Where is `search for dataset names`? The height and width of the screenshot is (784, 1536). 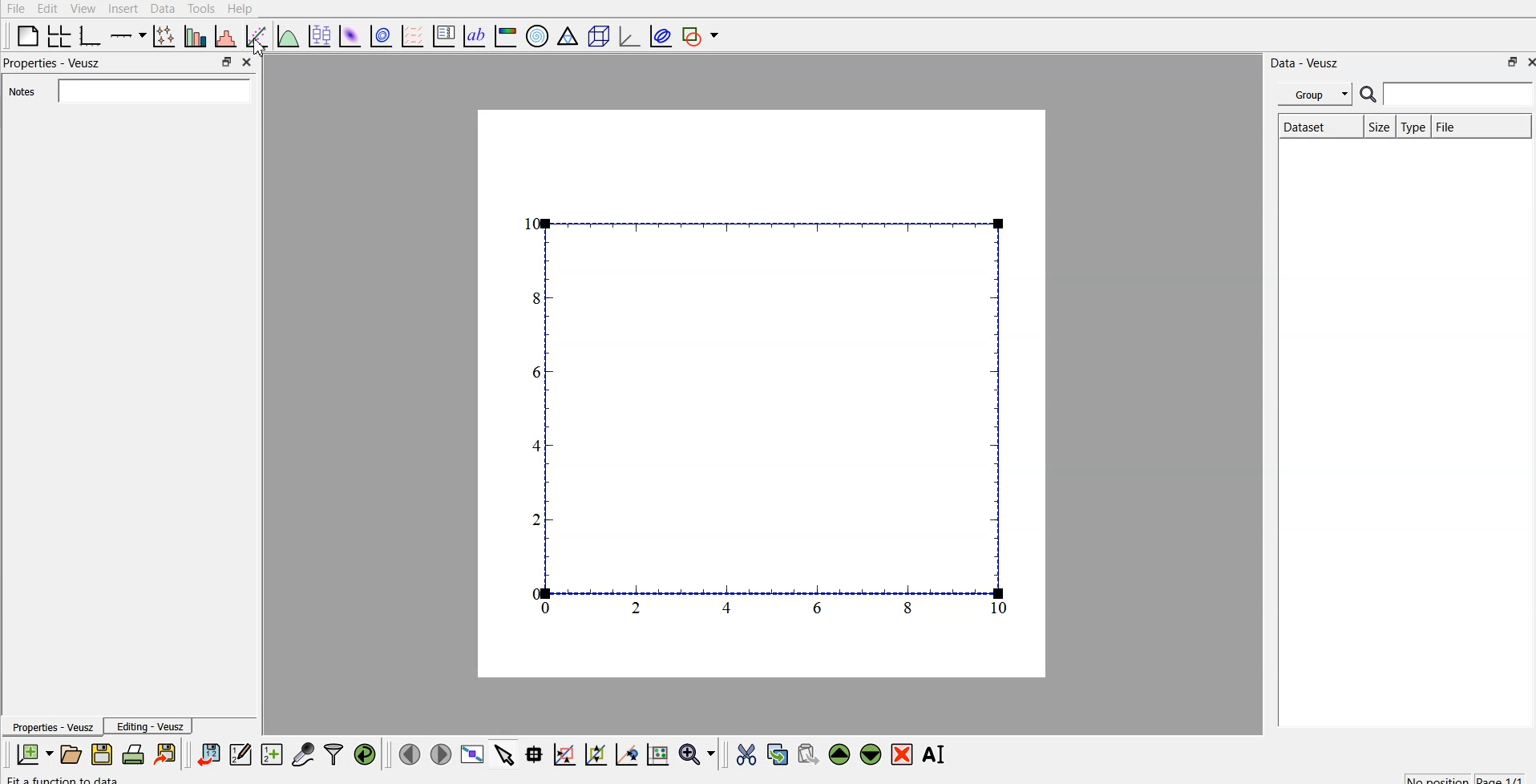
search for dataset names is located at coordinates (1457, 94).